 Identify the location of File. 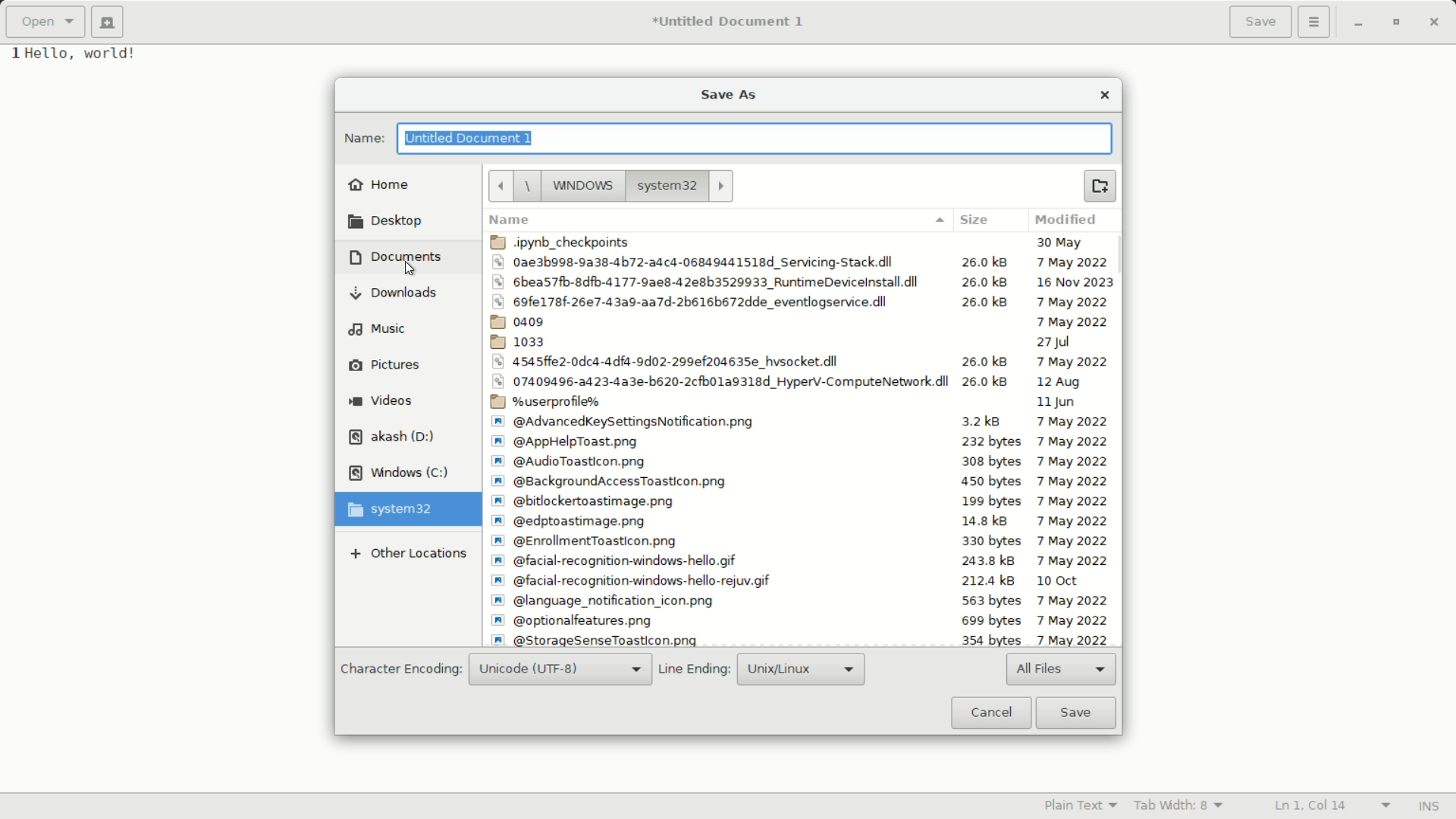
(798, 620).